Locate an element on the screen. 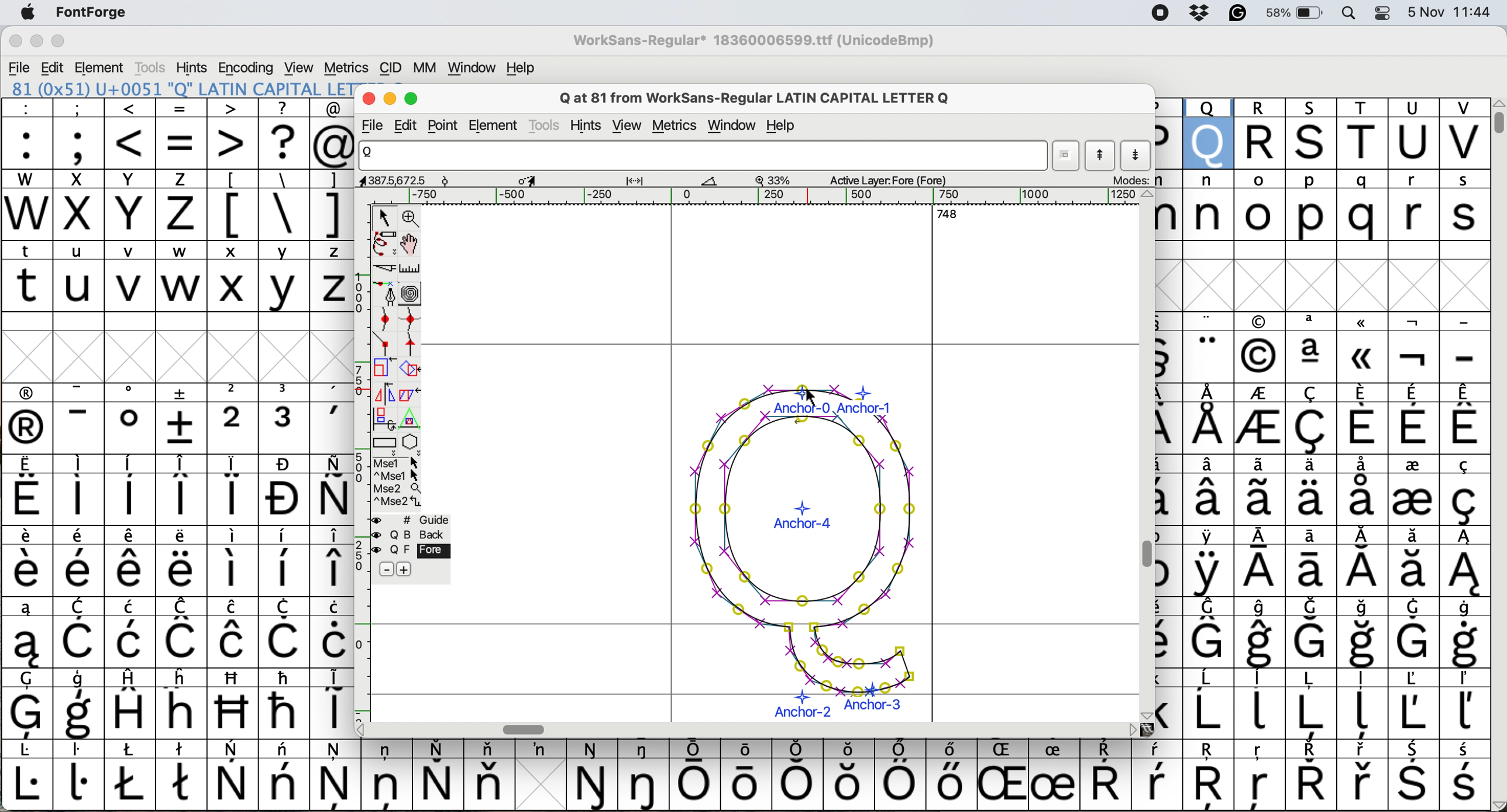 This screenshot has height=812, width=1507. uppercase letters is located at coordinates (1324, 132).